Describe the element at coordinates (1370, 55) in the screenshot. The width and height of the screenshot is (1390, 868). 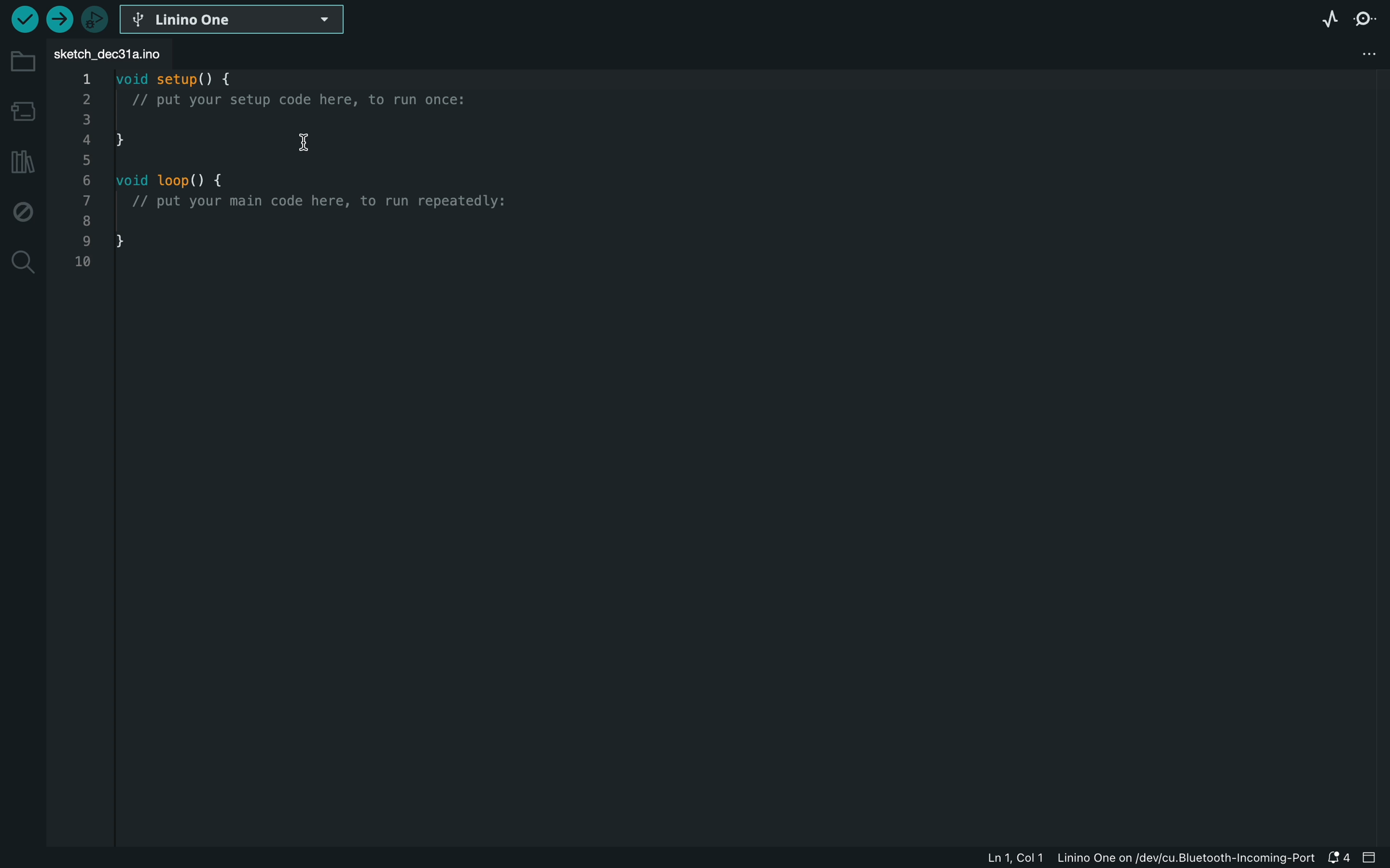
I see `More menu` at that location.